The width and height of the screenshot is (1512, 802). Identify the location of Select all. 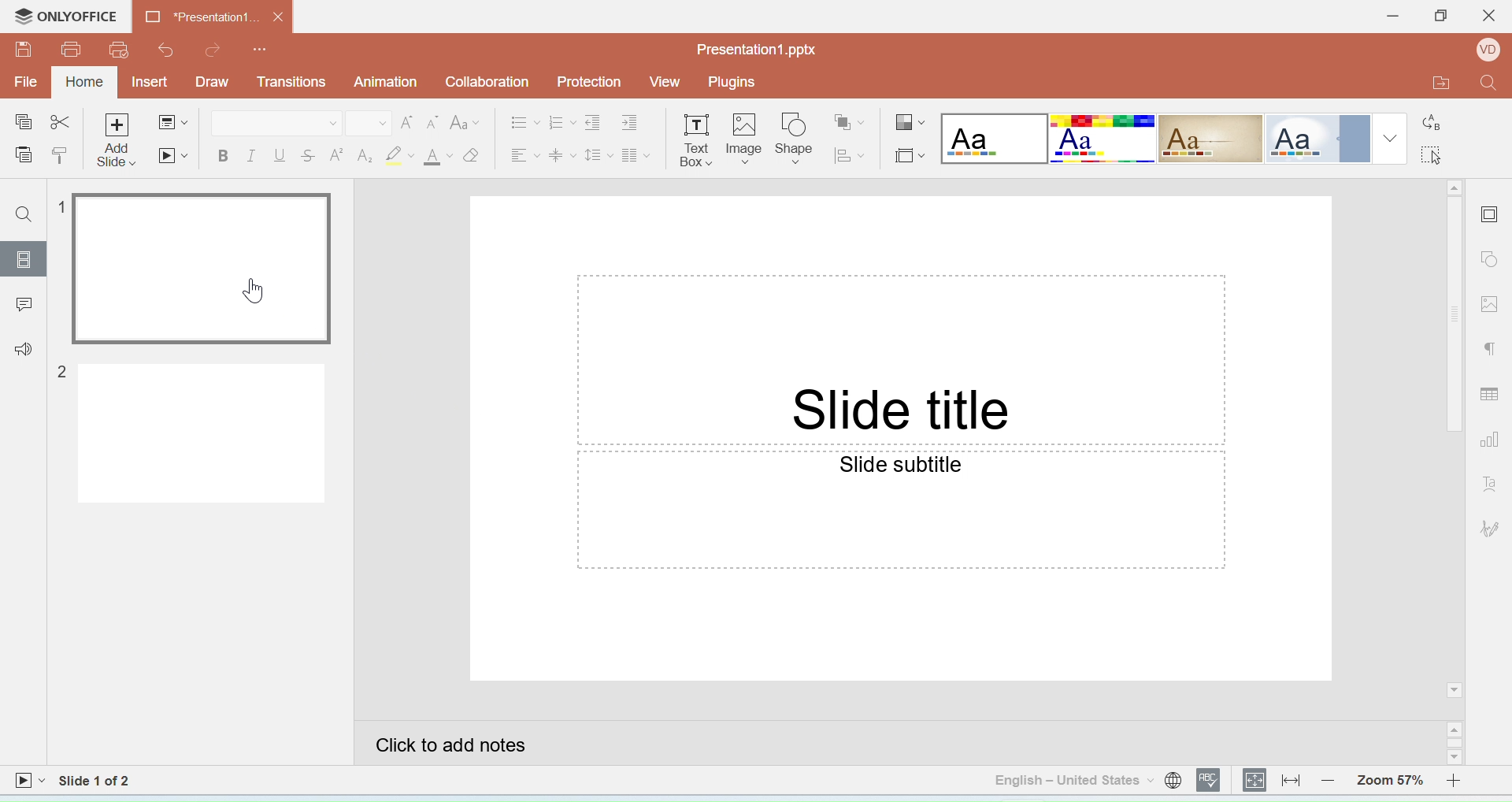
(1437, 153).